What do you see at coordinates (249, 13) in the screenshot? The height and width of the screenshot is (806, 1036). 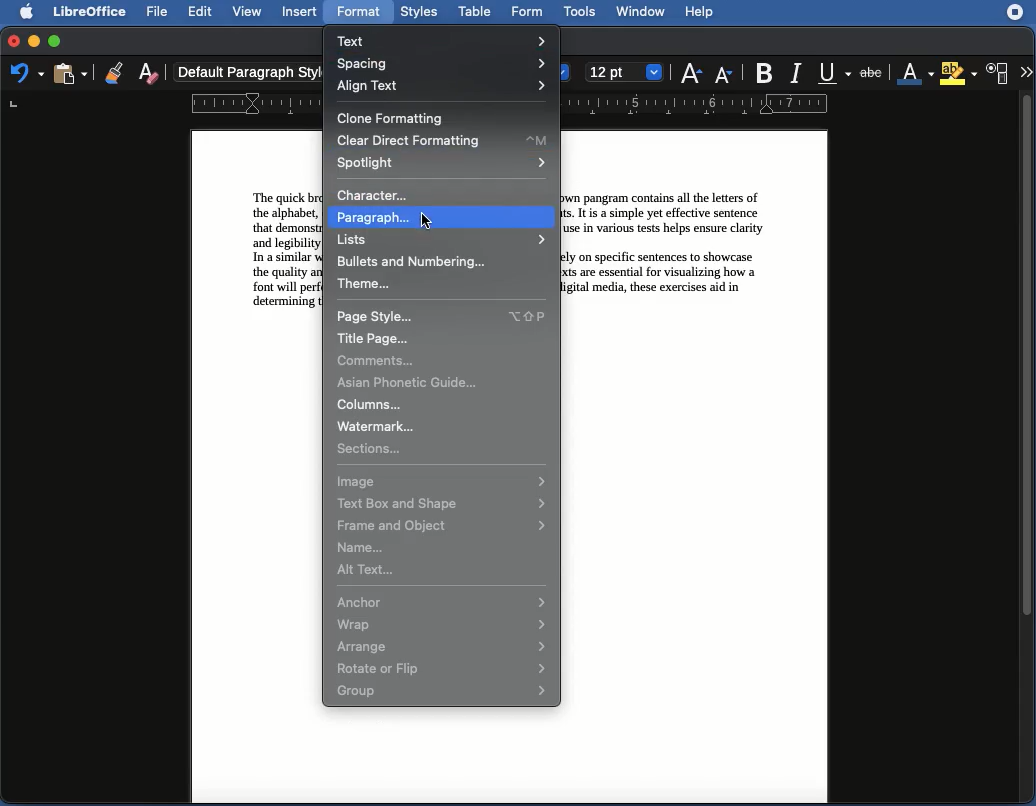 I see `View` at bounding box center [249, 13].